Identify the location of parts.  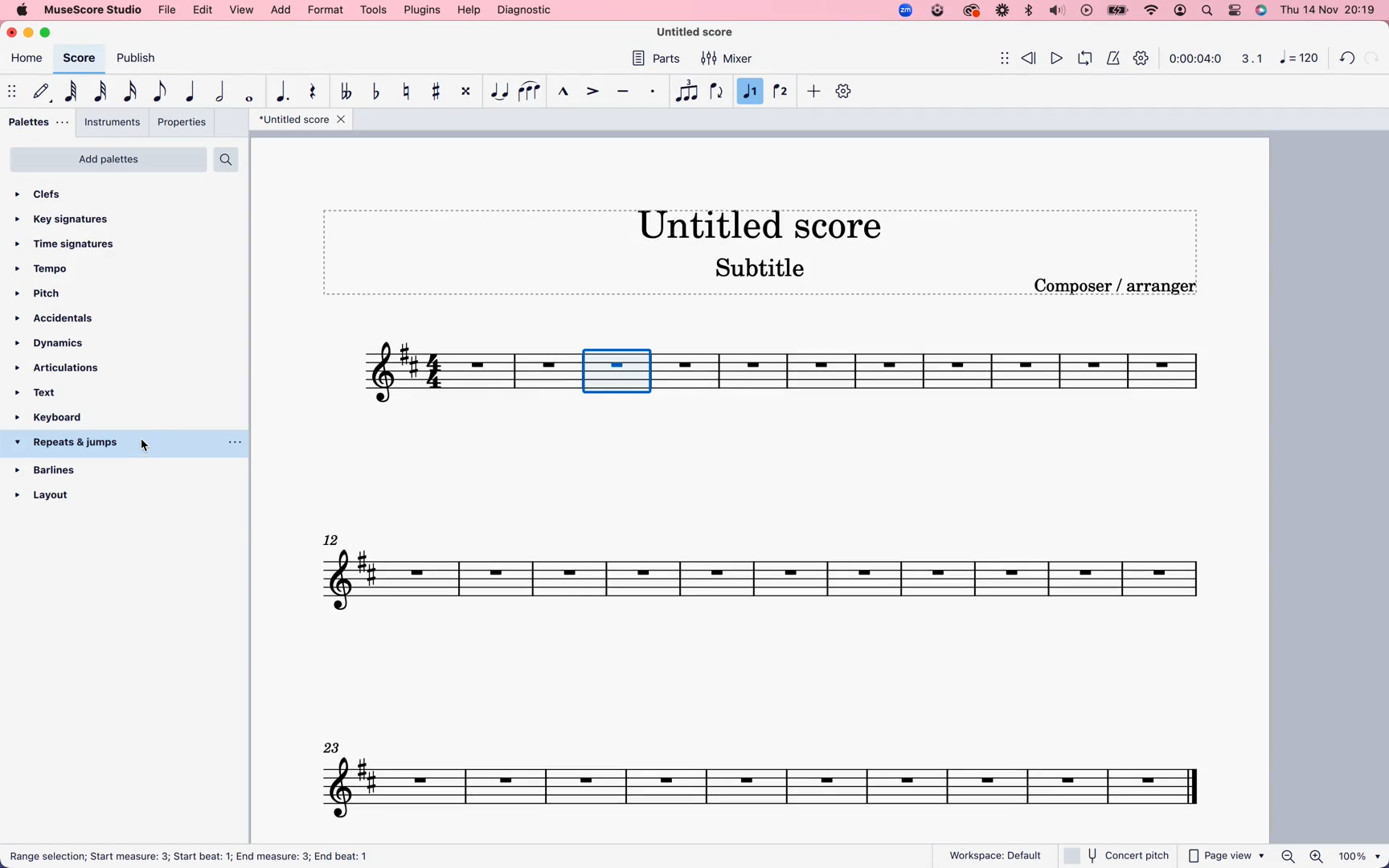
(660, 60).